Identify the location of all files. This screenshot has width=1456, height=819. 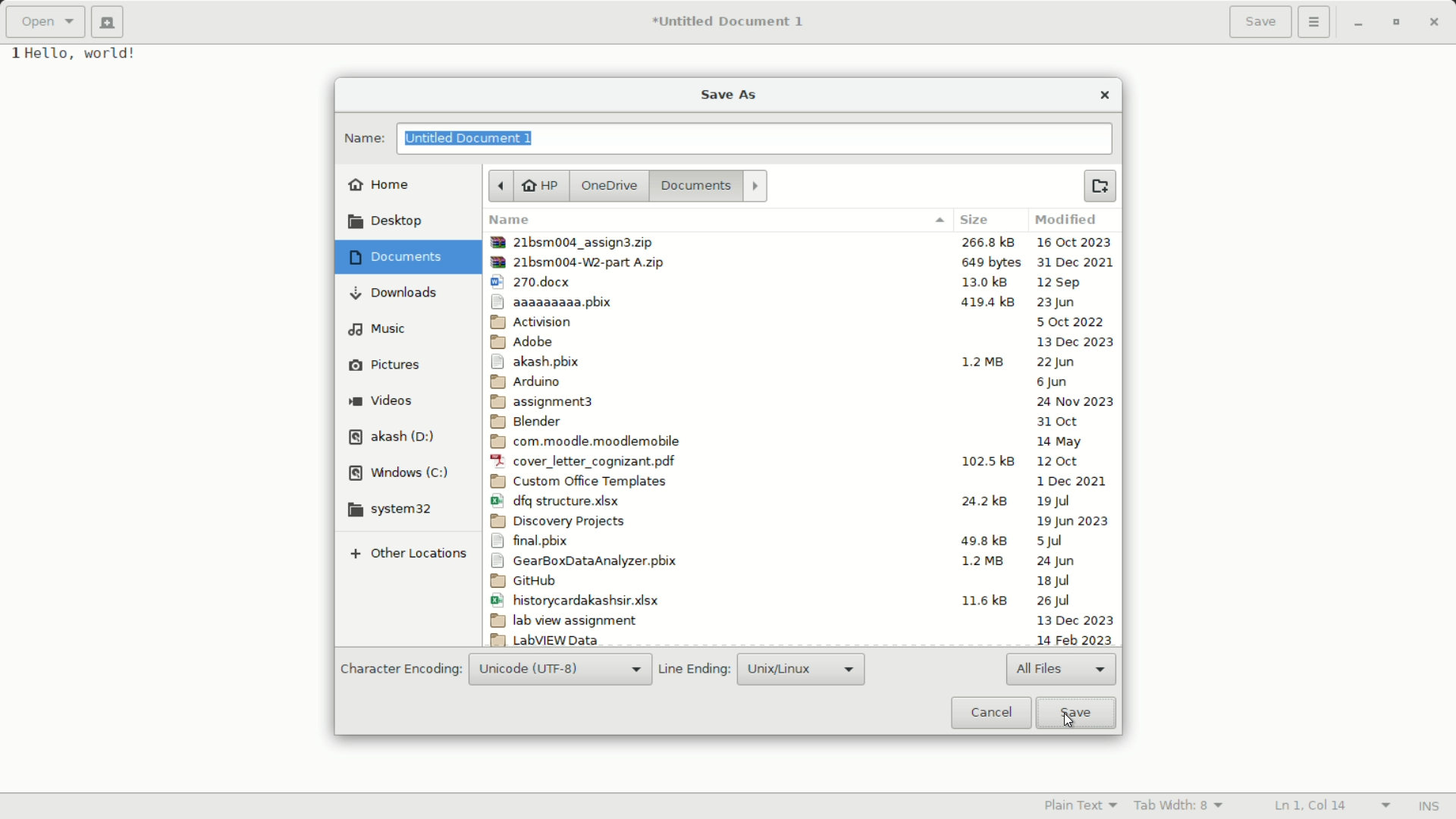
(1062, 670).